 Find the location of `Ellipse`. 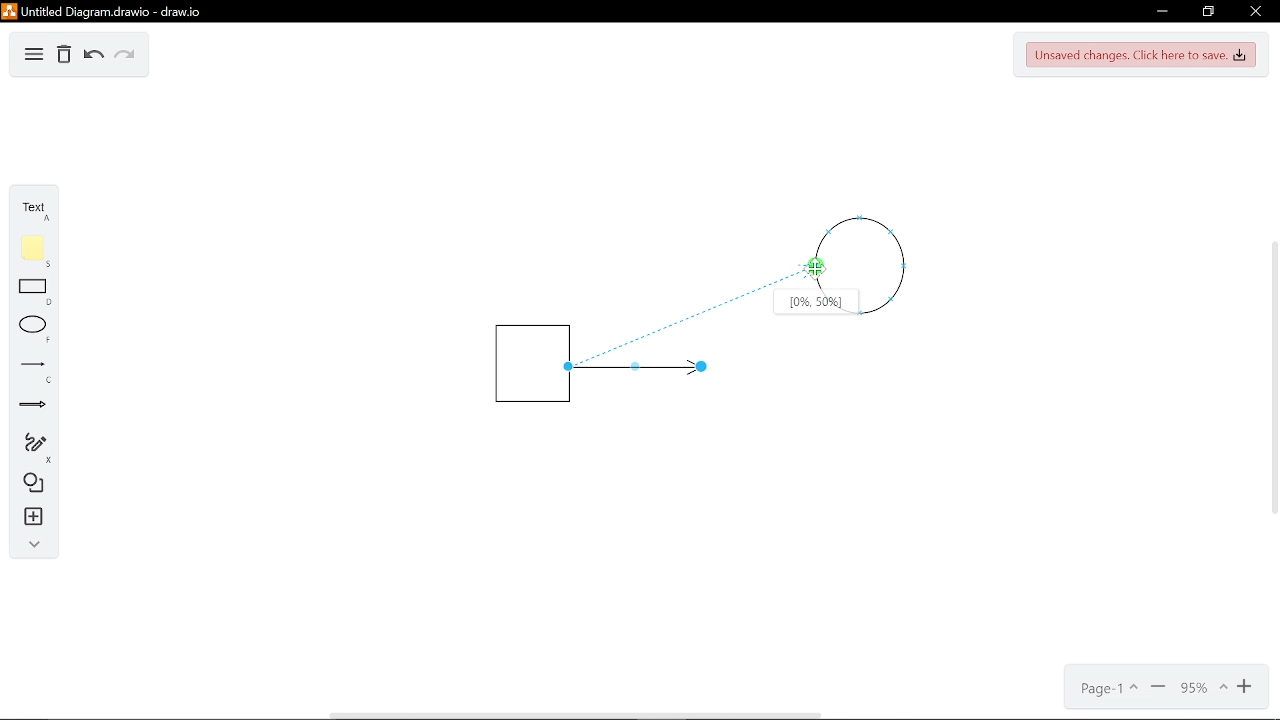

Ellipse is located at coordinates (29, 330).